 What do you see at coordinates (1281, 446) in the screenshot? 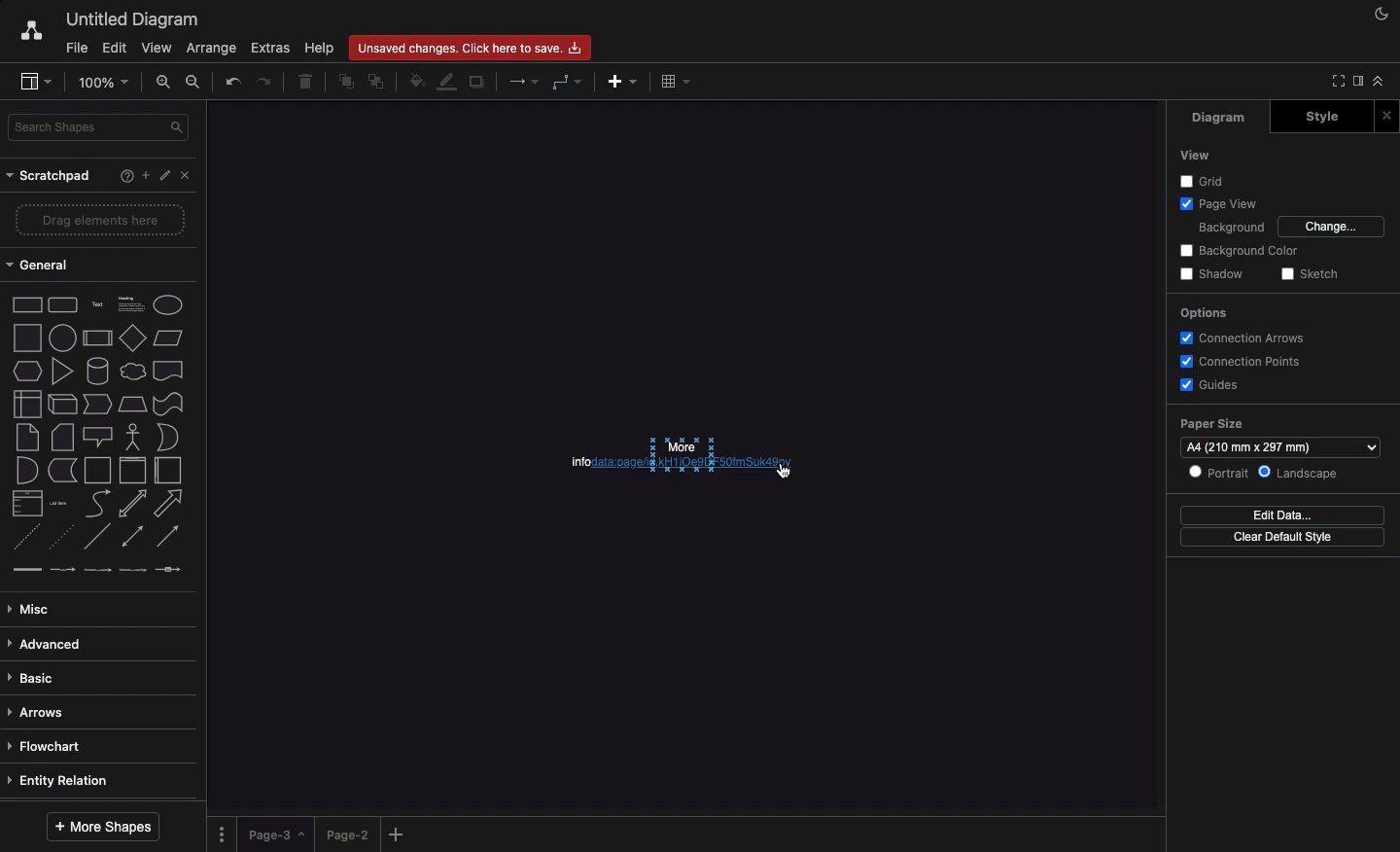
I see `A4 (210 mm x 297 mm)` at bounding box center [1281, 446].